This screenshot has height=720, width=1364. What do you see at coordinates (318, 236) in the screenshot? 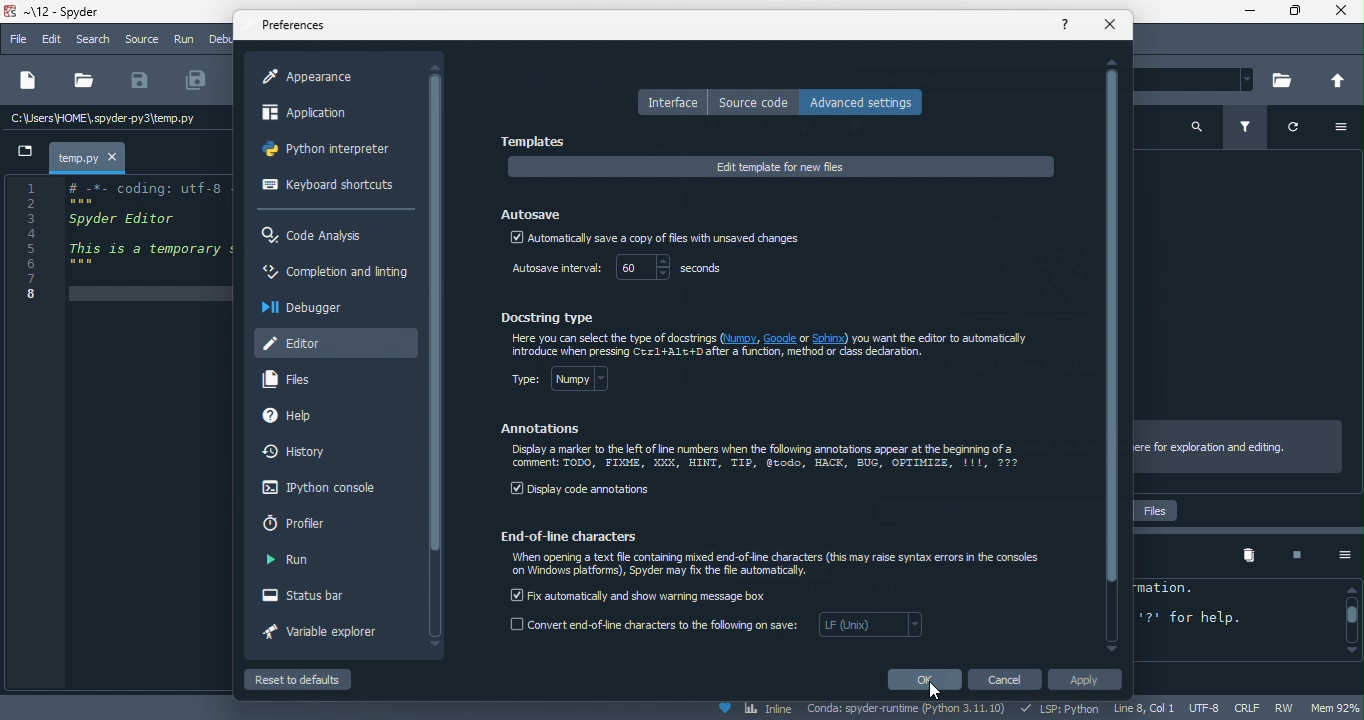
I see `code analysis` at bounding box center [318, 236].